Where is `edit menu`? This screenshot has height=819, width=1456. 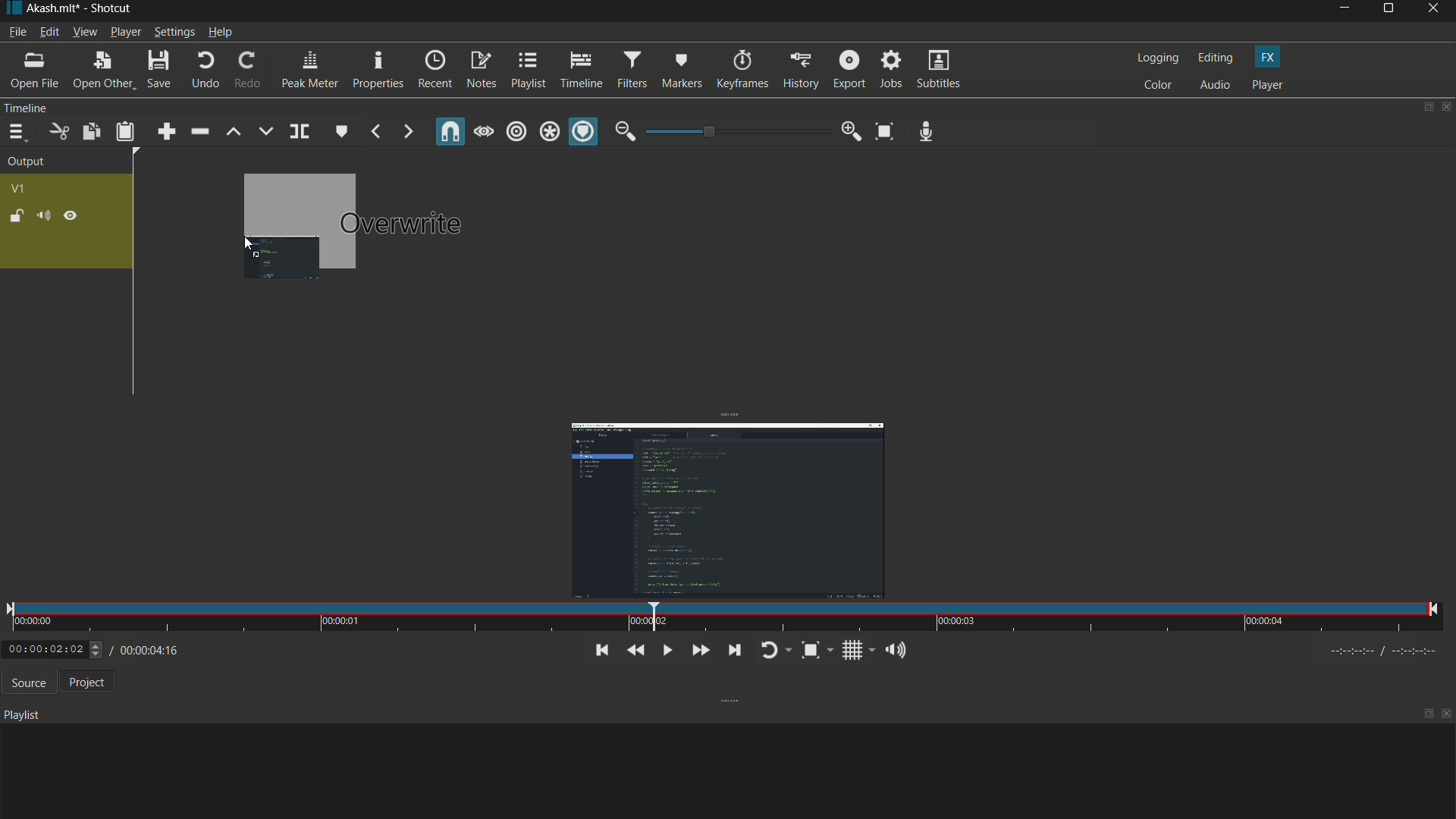 edit menu is located at coordinates (49, 33).